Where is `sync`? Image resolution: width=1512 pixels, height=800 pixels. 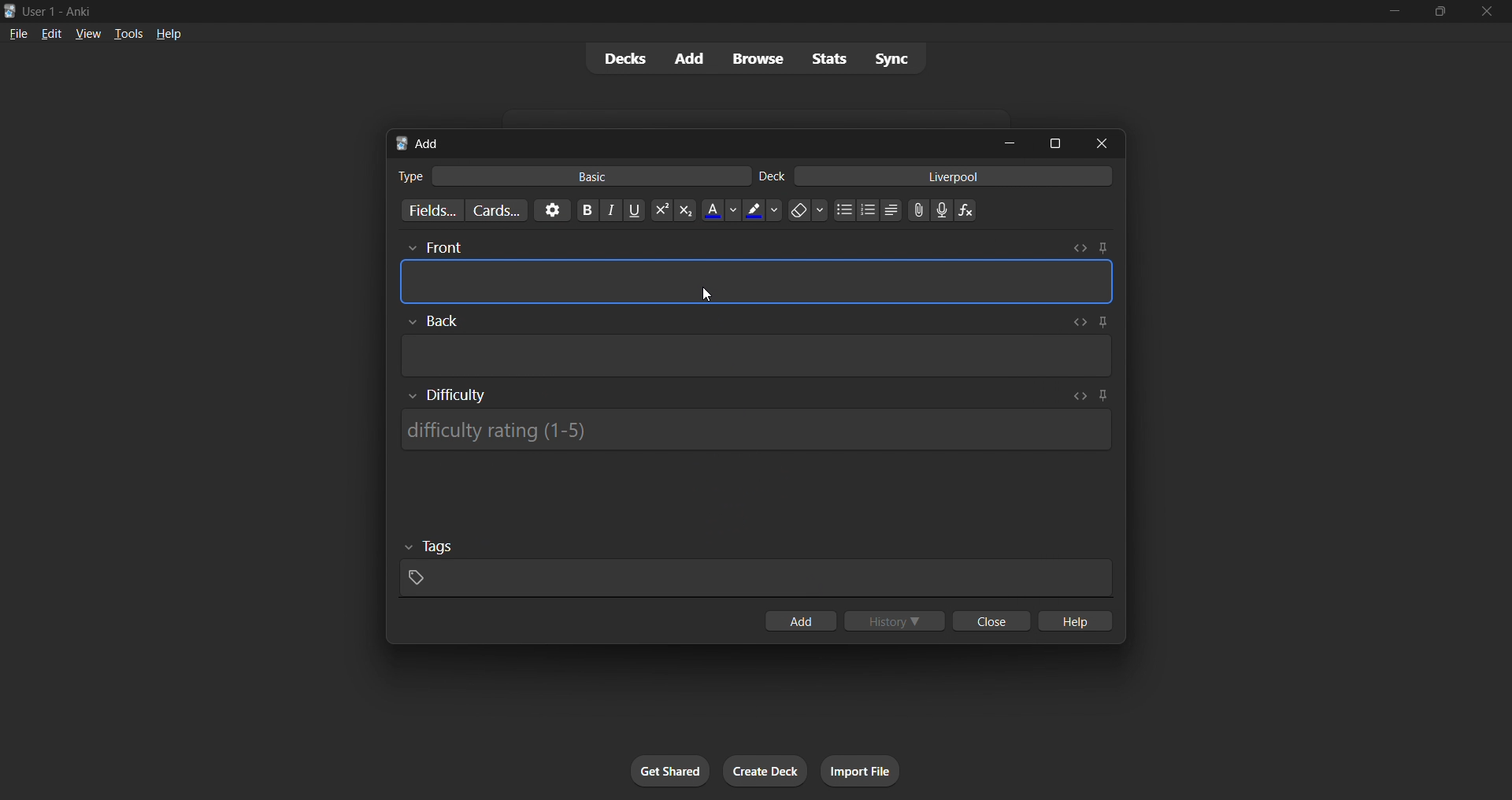 sync is located at coordinates (891, 57).